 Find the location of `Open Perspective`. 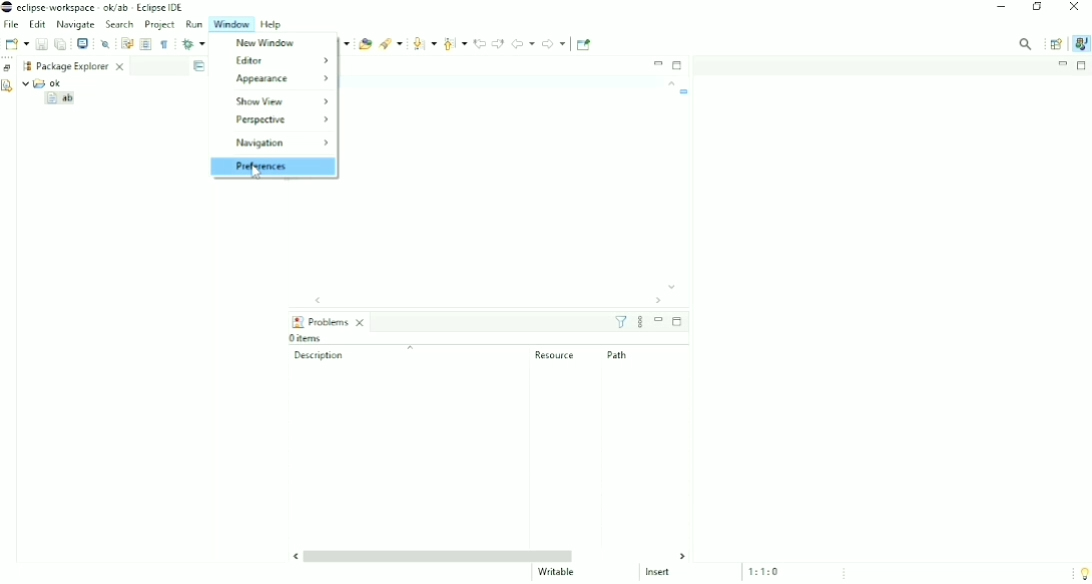

Open Perspective is located at coordinates (1055, 44).